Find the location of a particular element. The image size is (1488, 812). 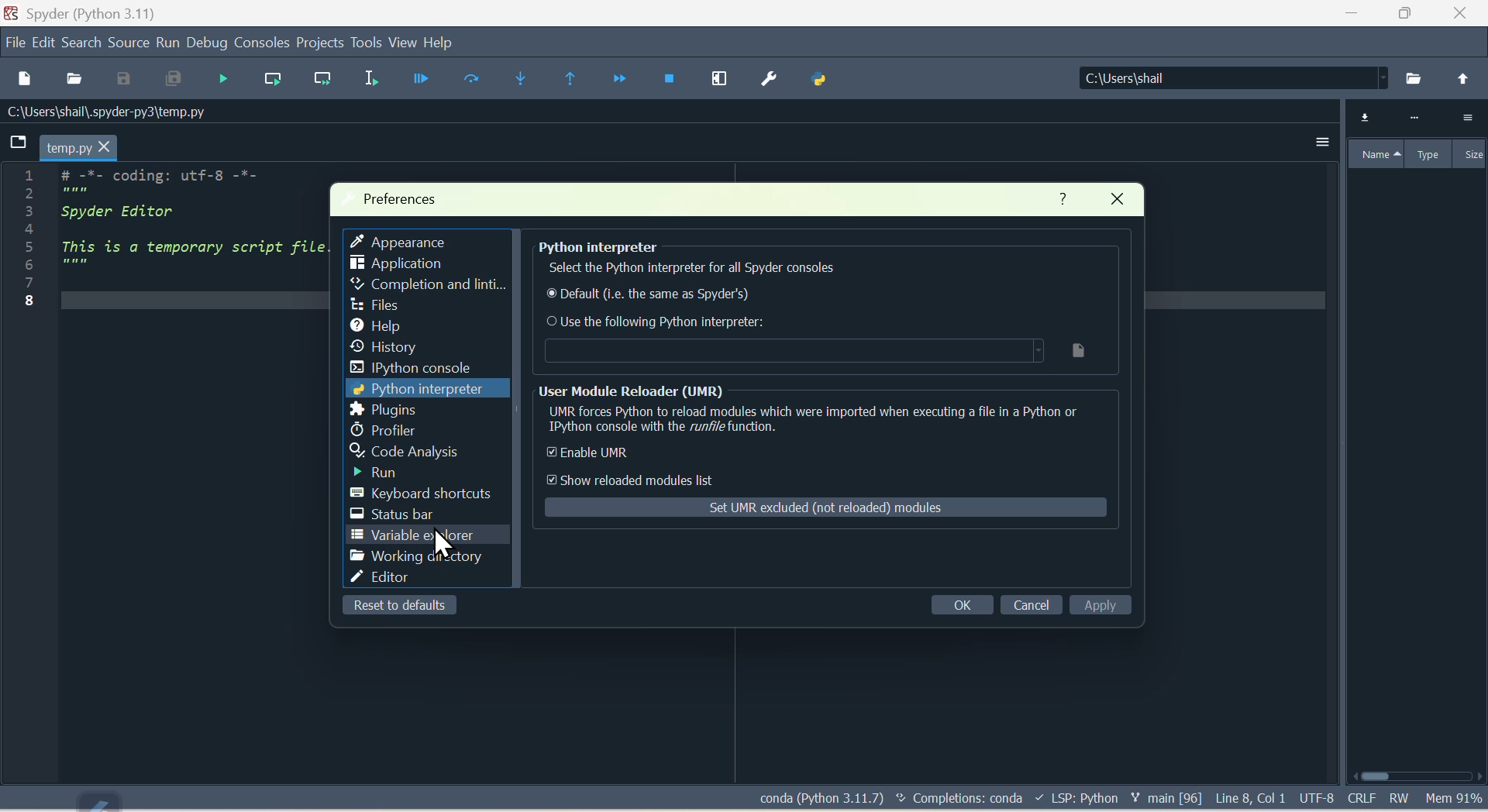

continue execution until next function is located at coordinates (611, 79).